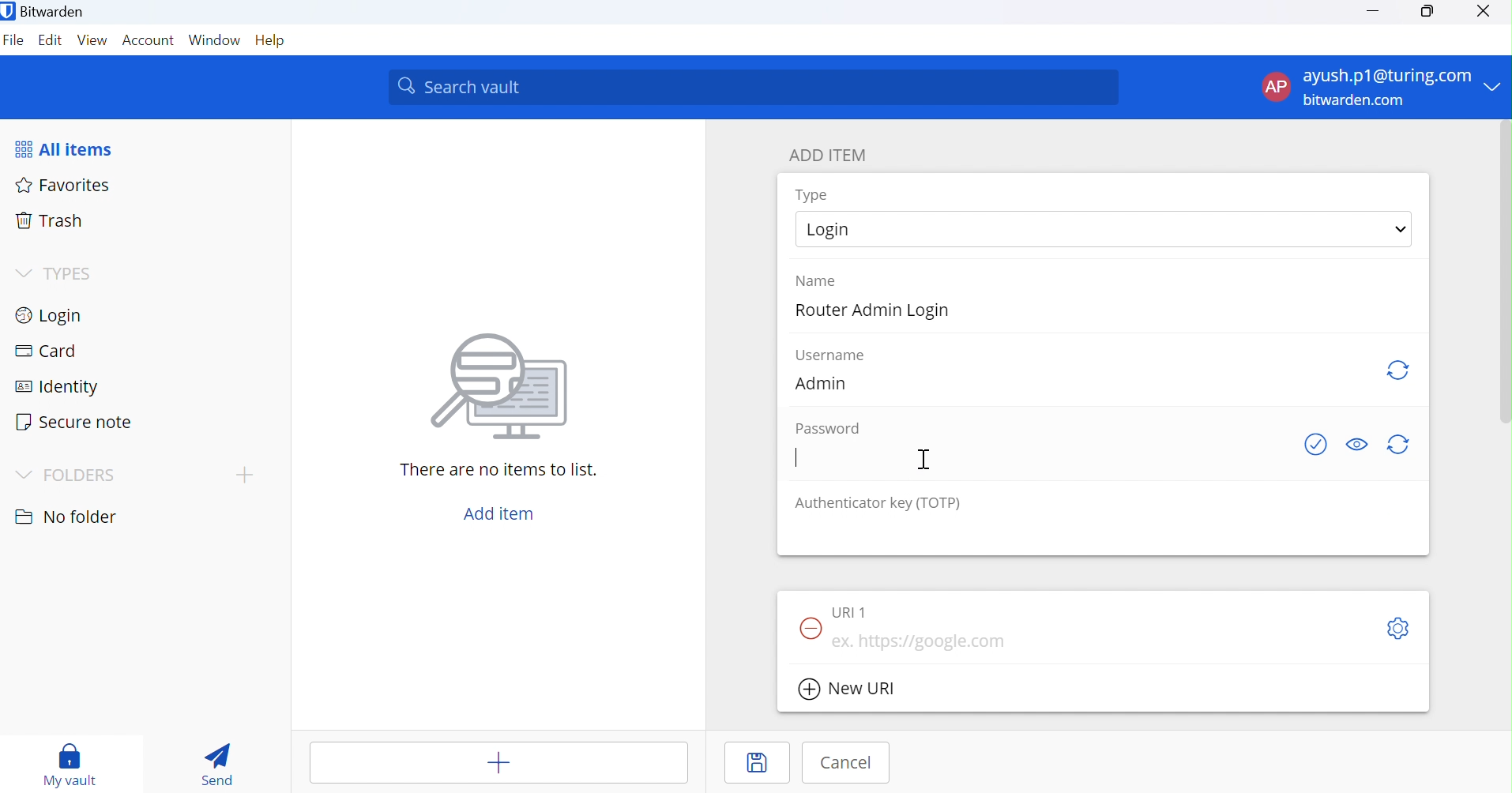 The height and width of the screenshot is (793, 1512). What do you see at coordinates (1374, 11) in the screenshot?
I see `Minimize` at bounding box center [1374, 11].